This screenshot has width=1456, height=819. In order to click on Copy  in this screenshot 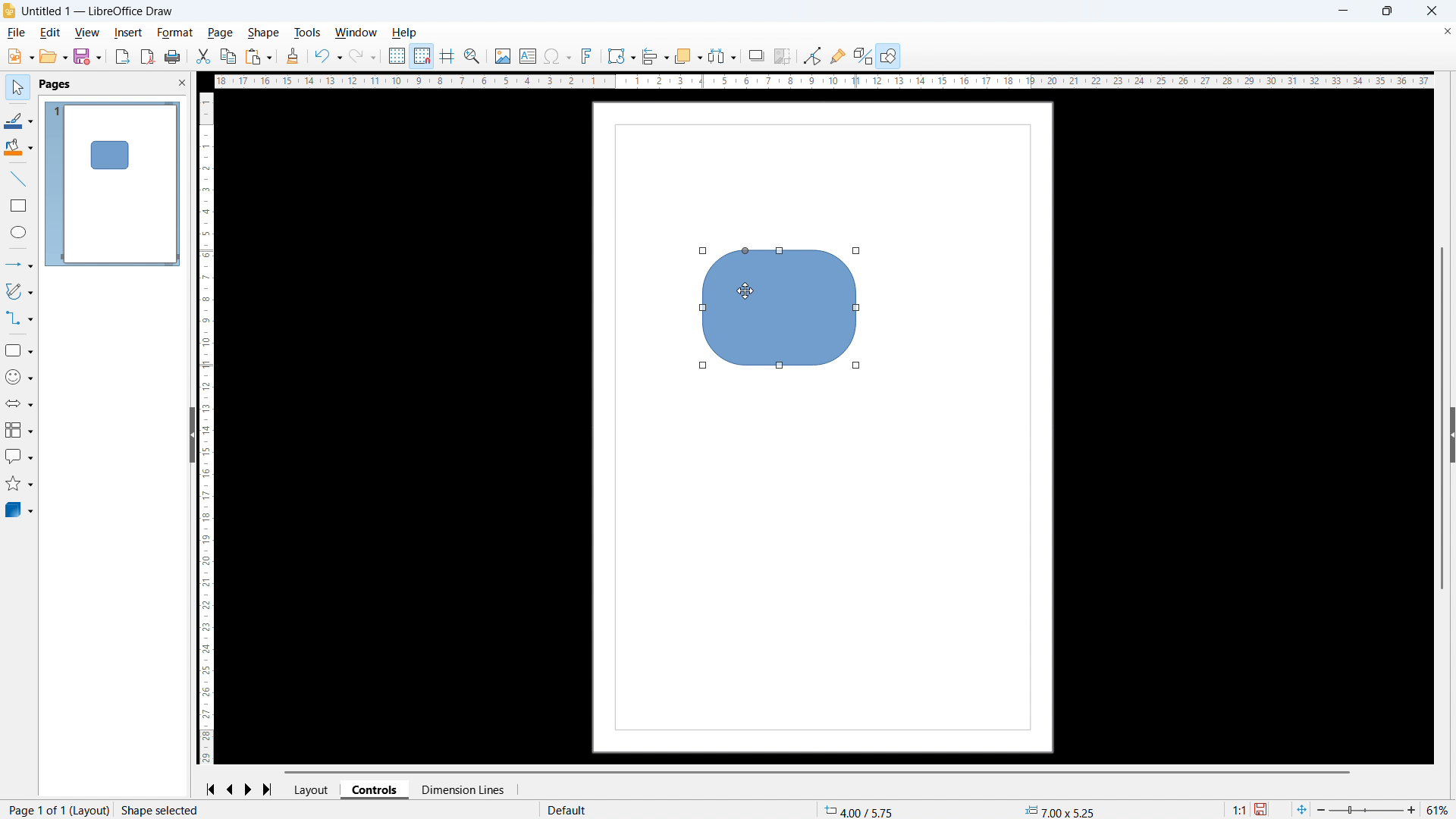, I will do `click(227, 56)`.